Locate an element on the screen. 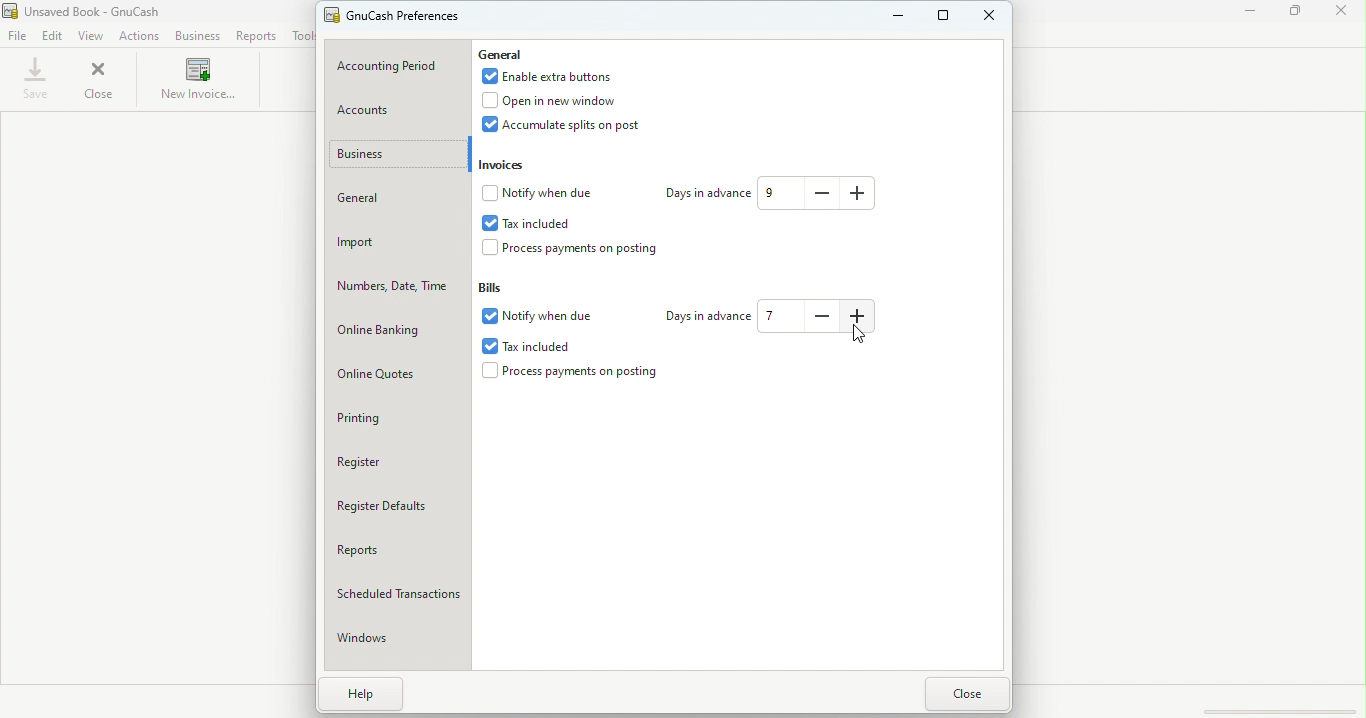 This screenshot has height=718, width=1366. View is located at coordinates (92, 36).